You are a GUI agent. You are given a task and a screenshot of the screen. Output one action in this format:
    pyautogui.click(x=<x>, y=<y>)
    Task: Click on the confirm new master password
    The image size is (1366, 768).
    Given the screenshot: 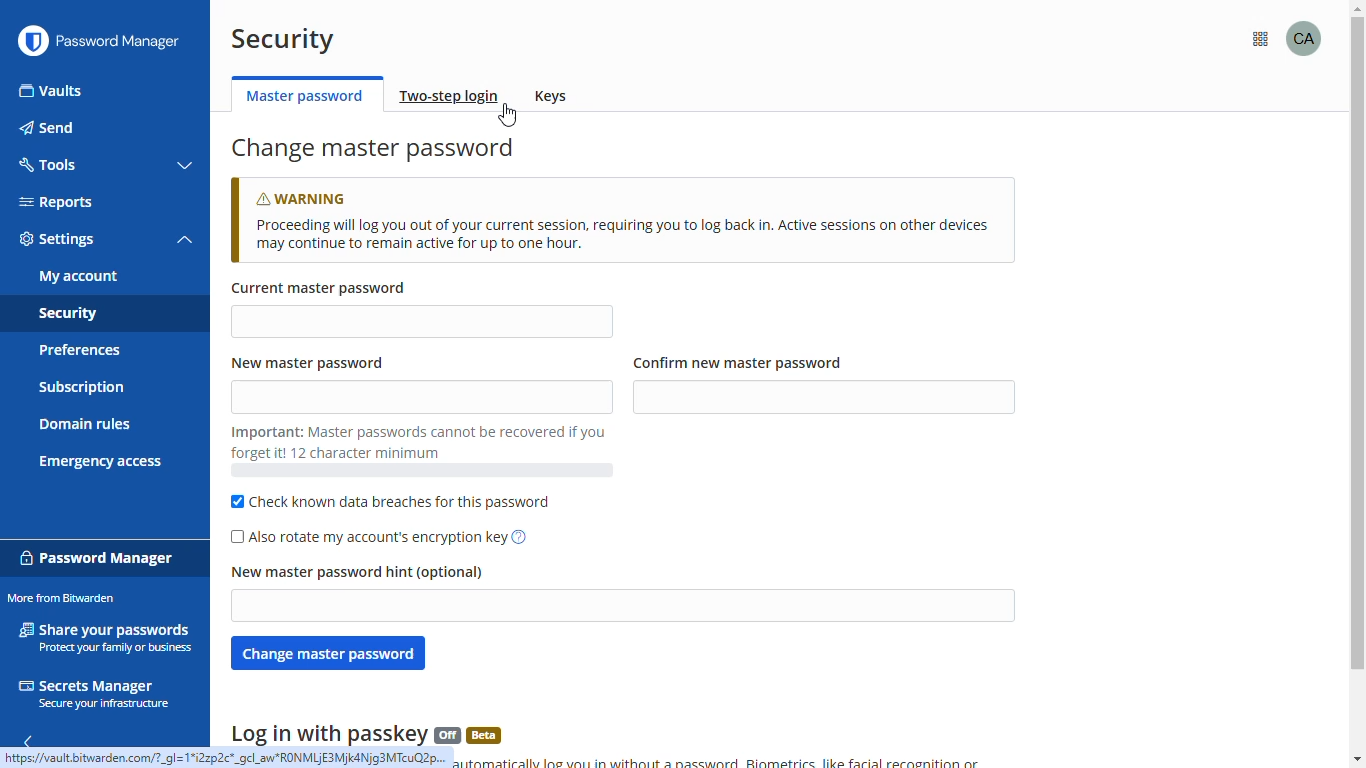 What is the action you would take?
    pyautogui.click(x=826, y=385)
    